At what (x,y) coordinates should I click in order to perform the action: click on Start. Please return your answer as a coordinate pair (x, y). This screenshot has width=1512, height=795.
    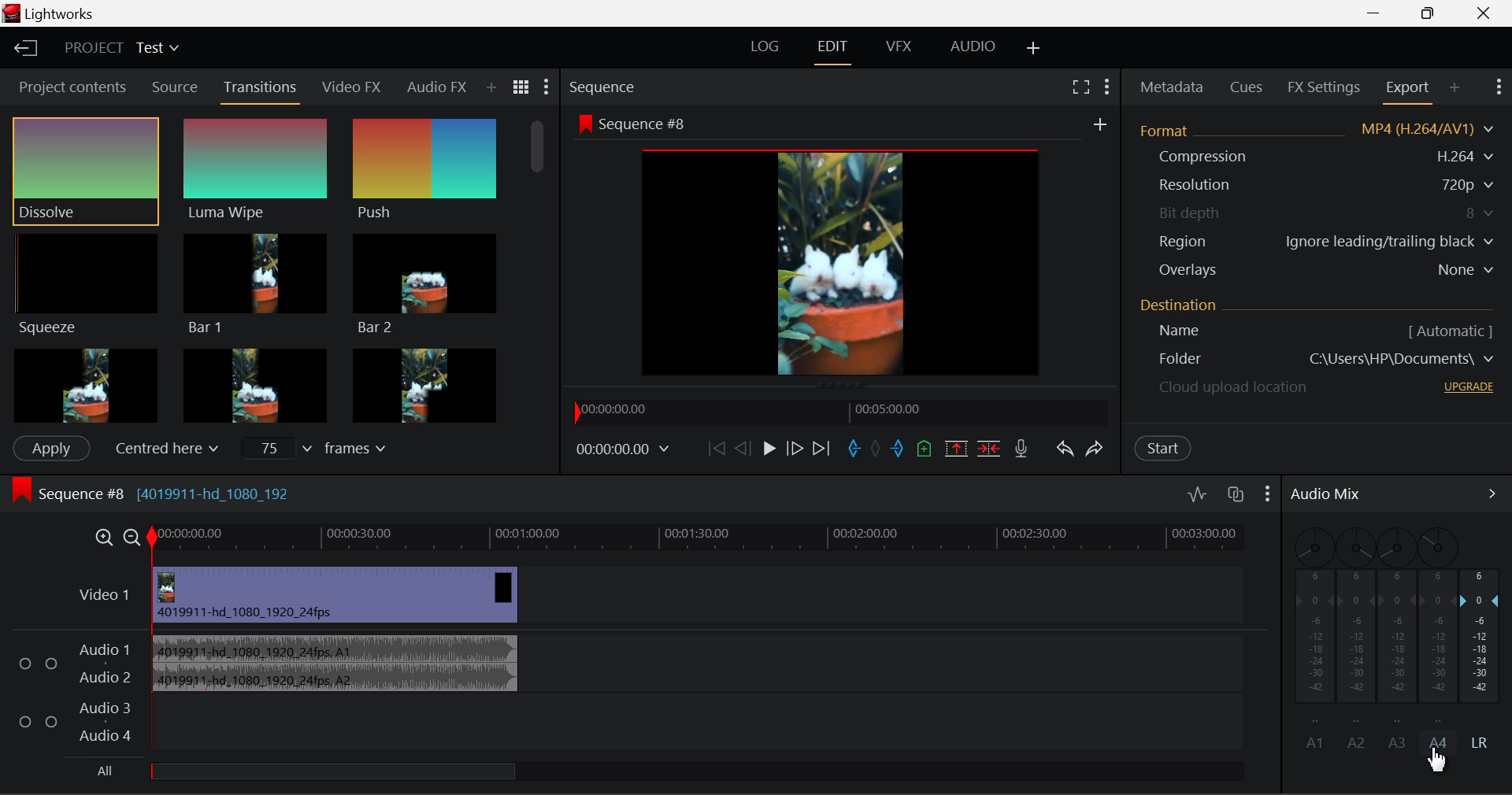
    Looking at the image, I should click on (1164, 448).